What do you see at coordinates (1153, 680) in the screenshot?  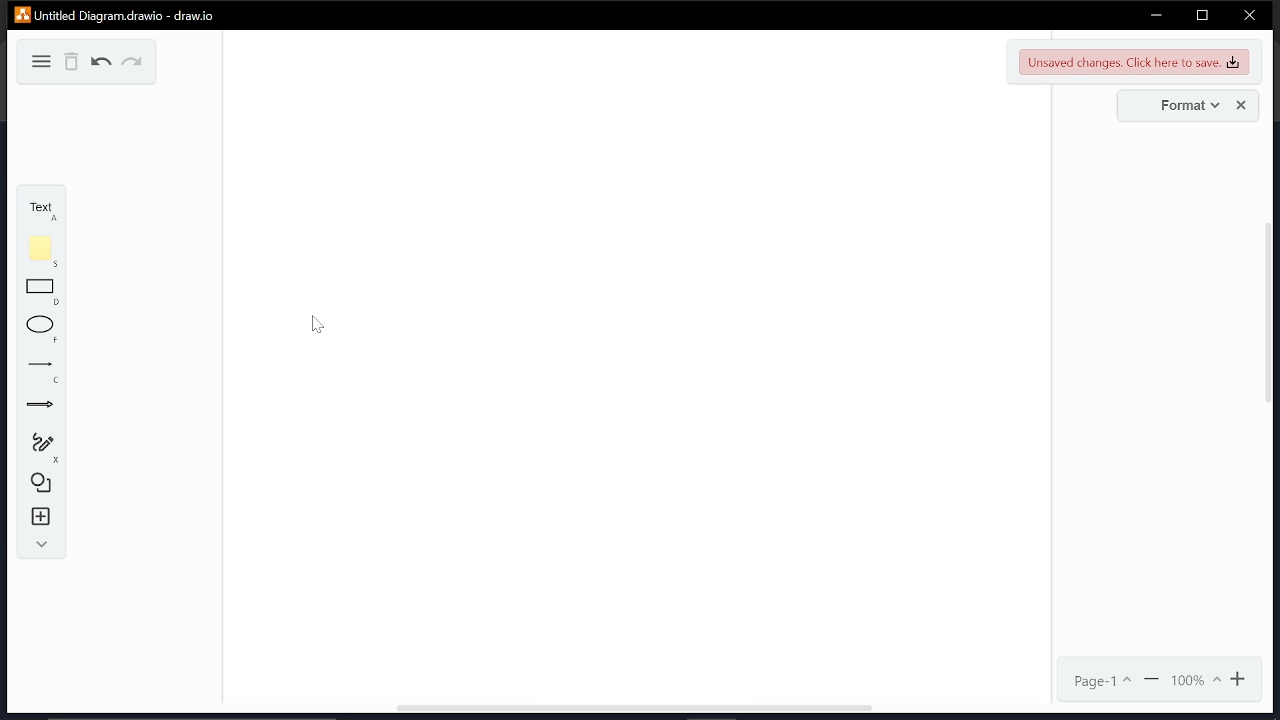 I see `zoom out` at bounding box center [1153, 680].